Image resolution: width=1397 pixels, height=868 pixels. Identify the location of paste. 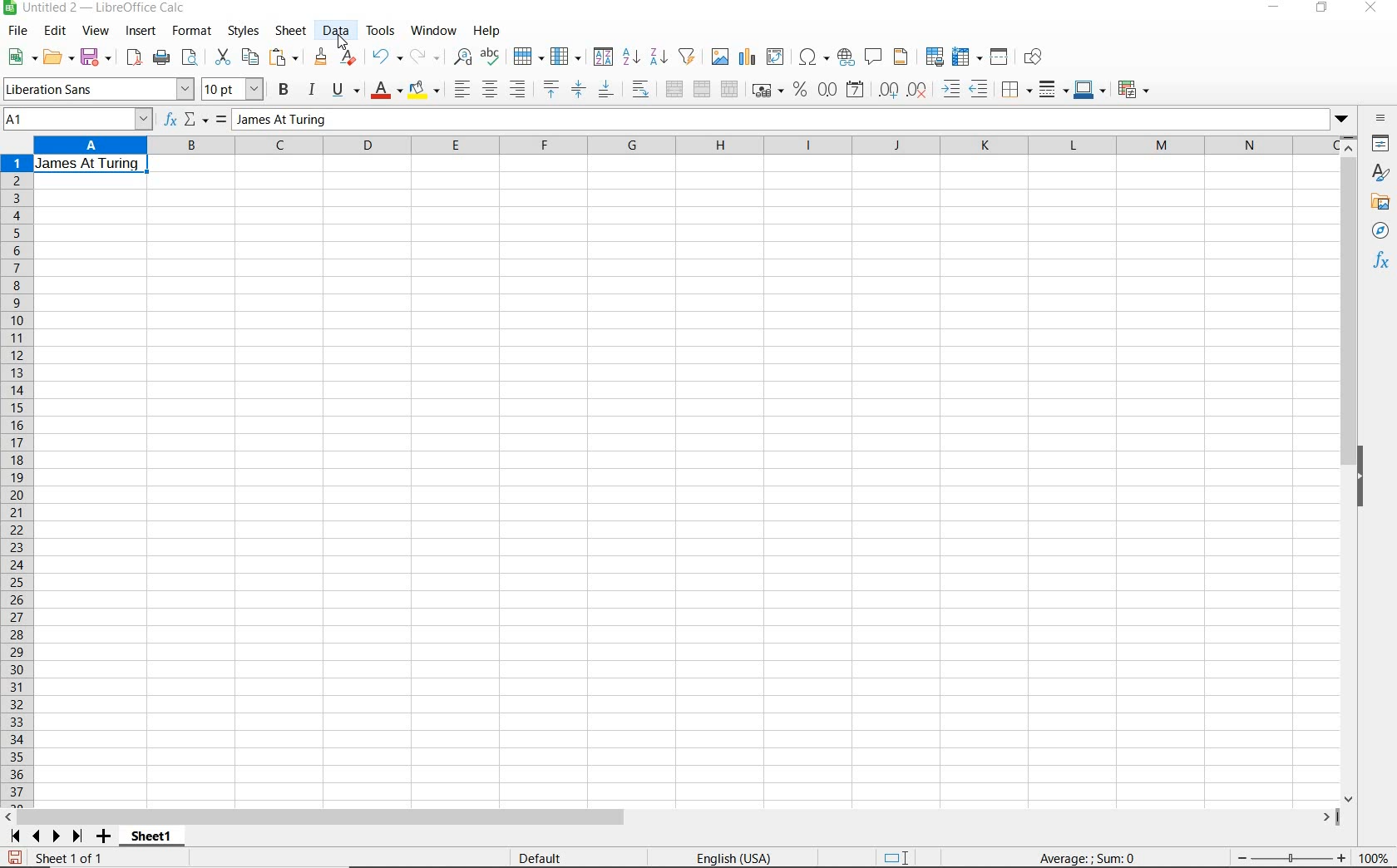
(284, 57).